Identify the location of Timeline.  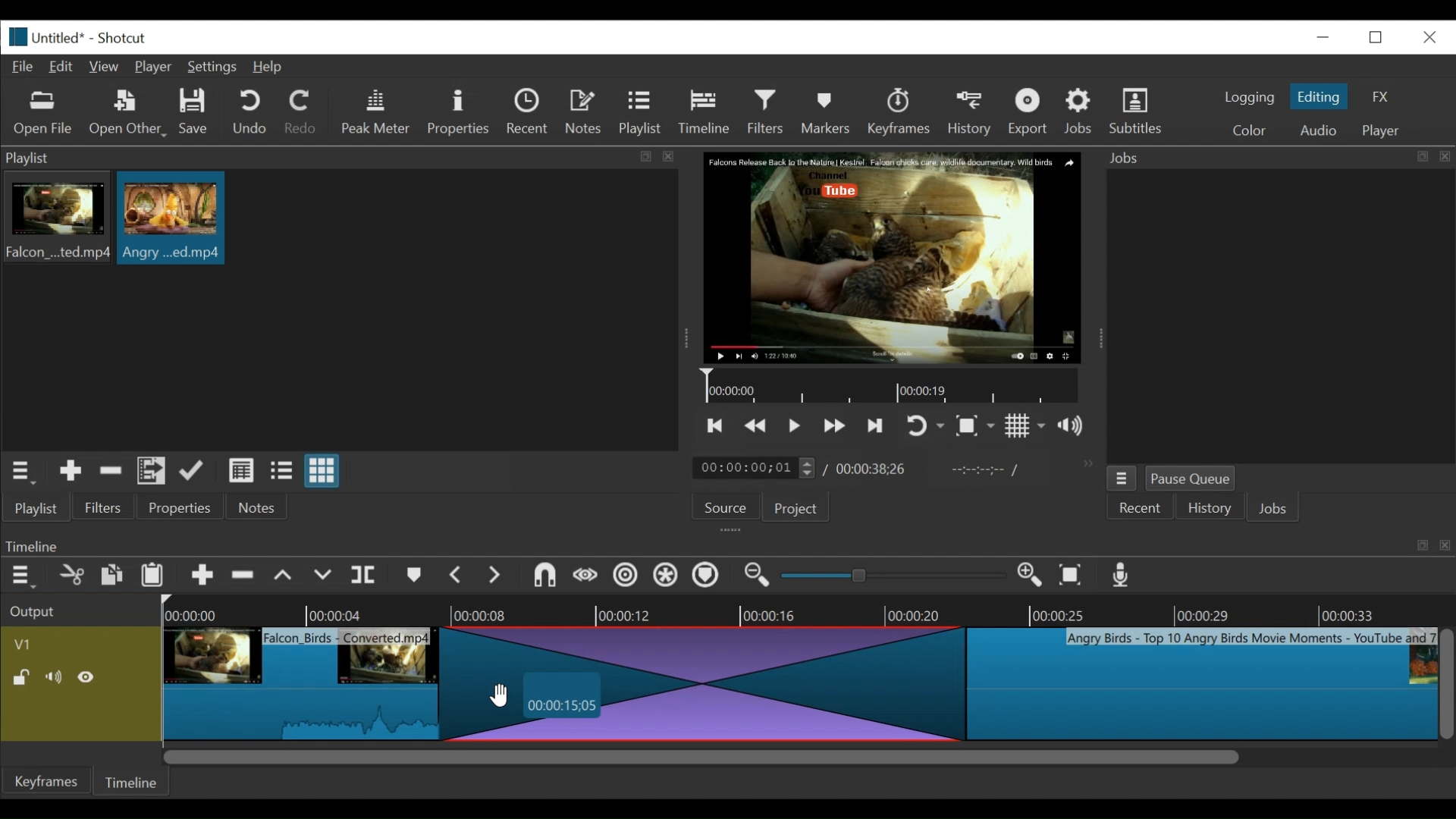
(708, 109).